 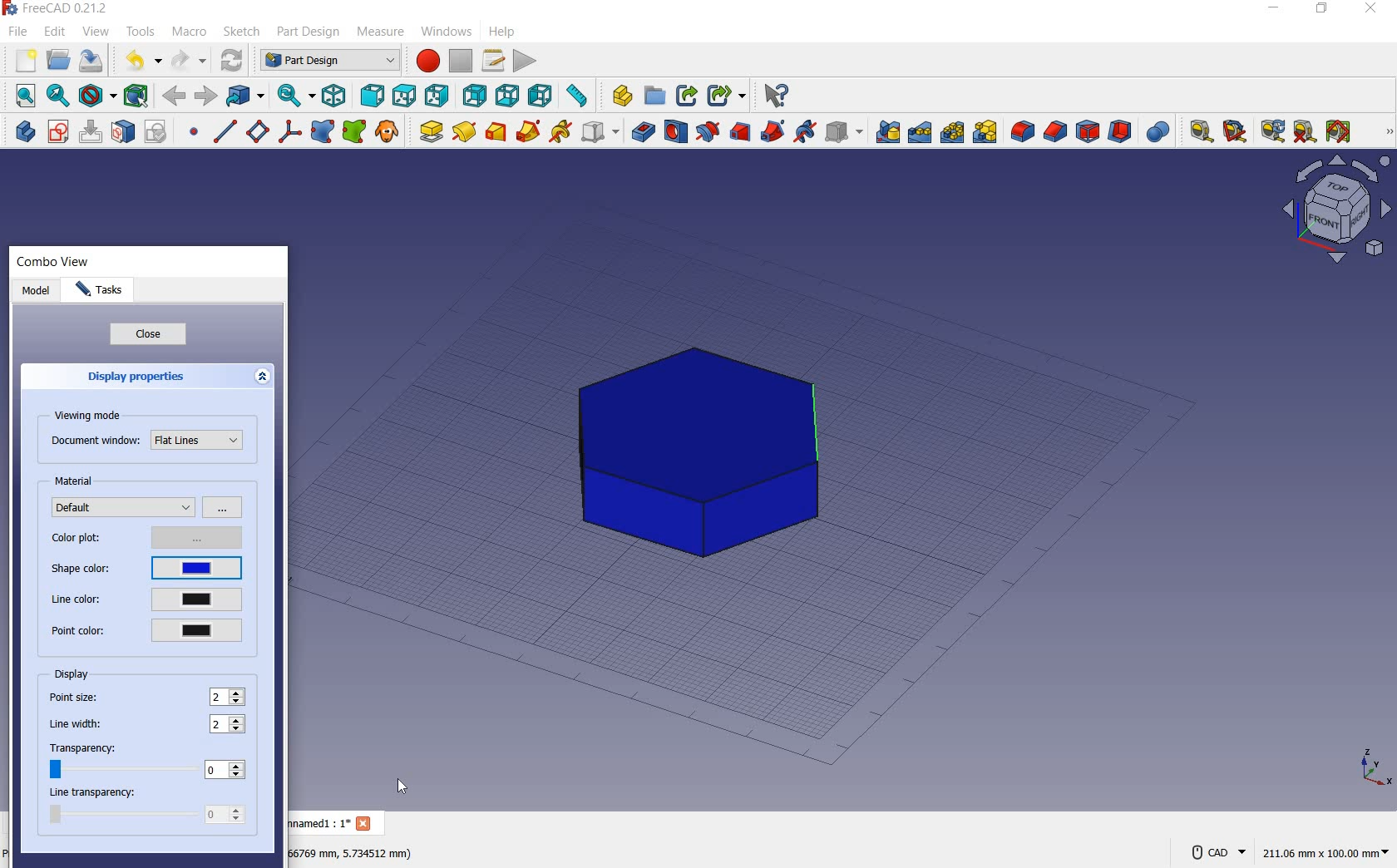 What do you see at coordinates (16, 33) in the screenshot?
I see `file` at bounding box center [16, 33].